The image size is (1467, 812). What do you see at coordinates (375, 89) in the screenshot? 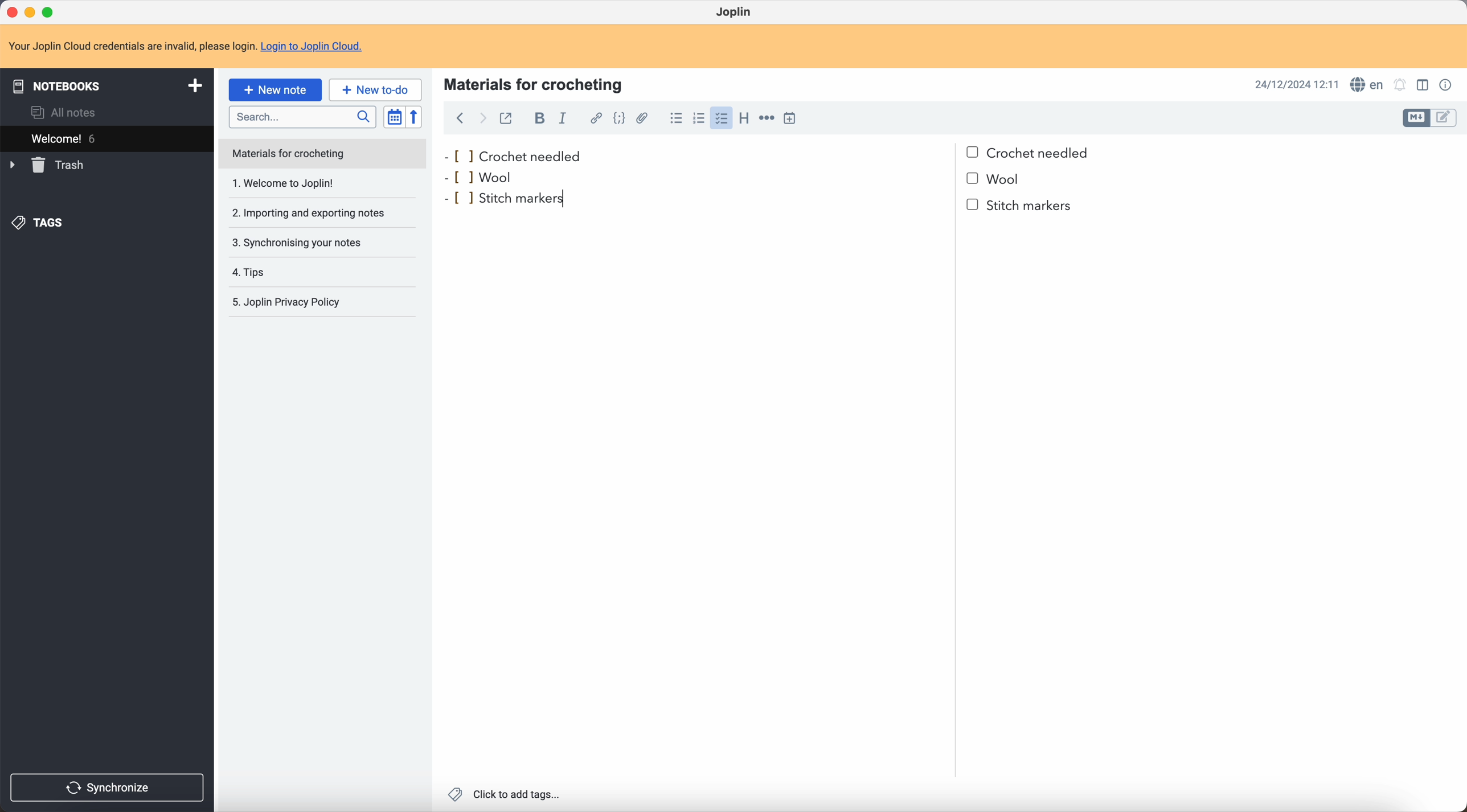
I see `new to-do` at bounding box center [375, 89].